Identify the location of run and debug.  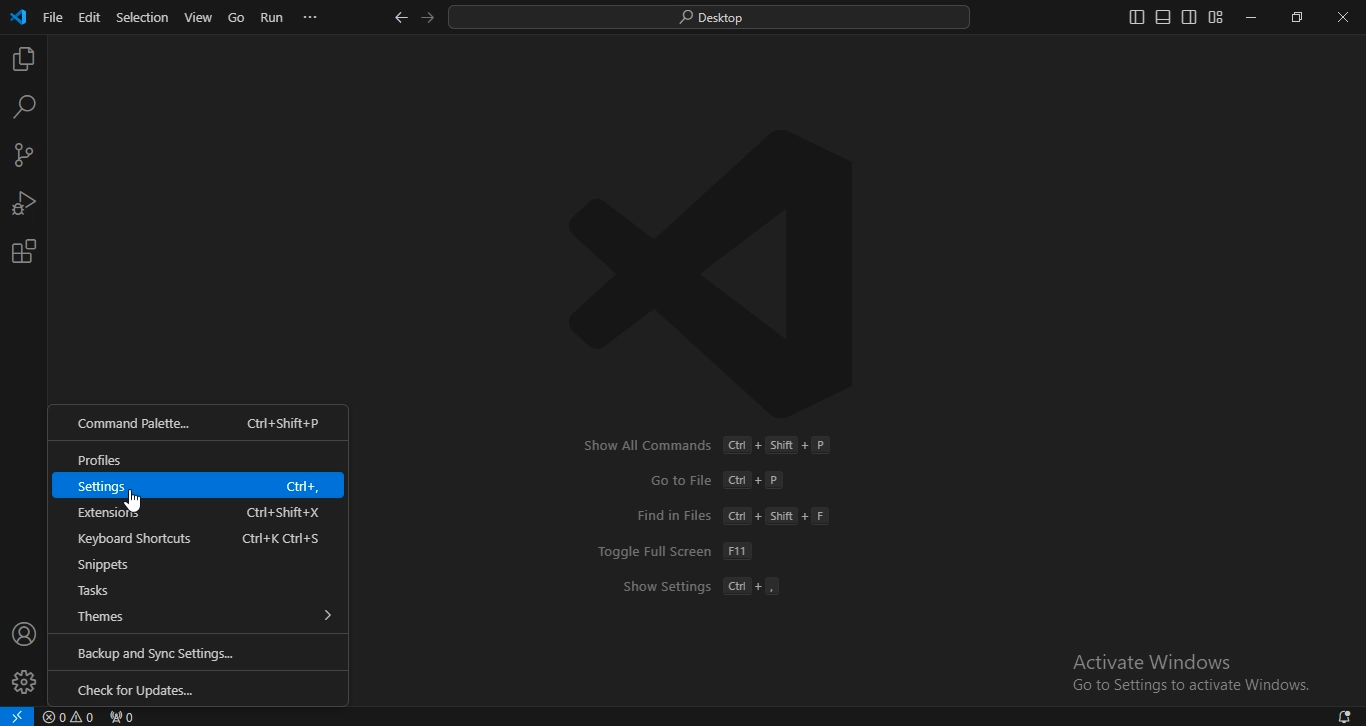
(22, 202).